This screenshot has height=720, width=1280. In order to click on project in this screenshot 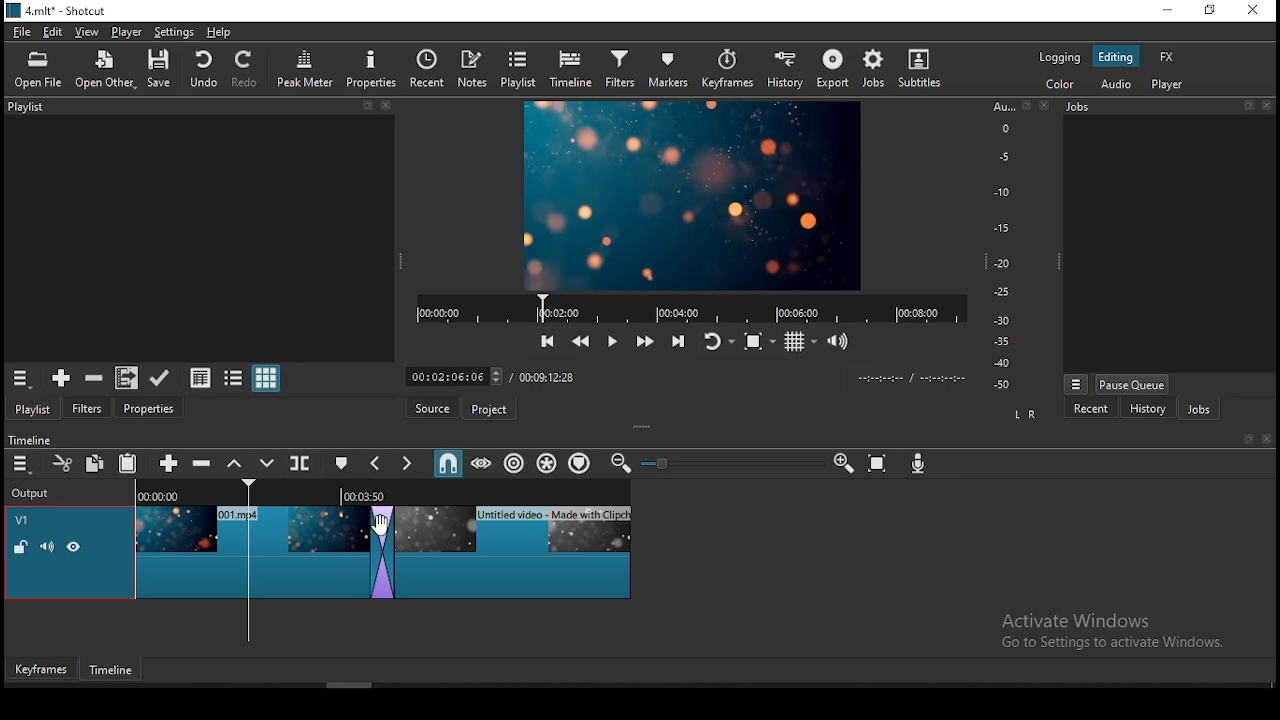, I will do `click(487, 408)`.